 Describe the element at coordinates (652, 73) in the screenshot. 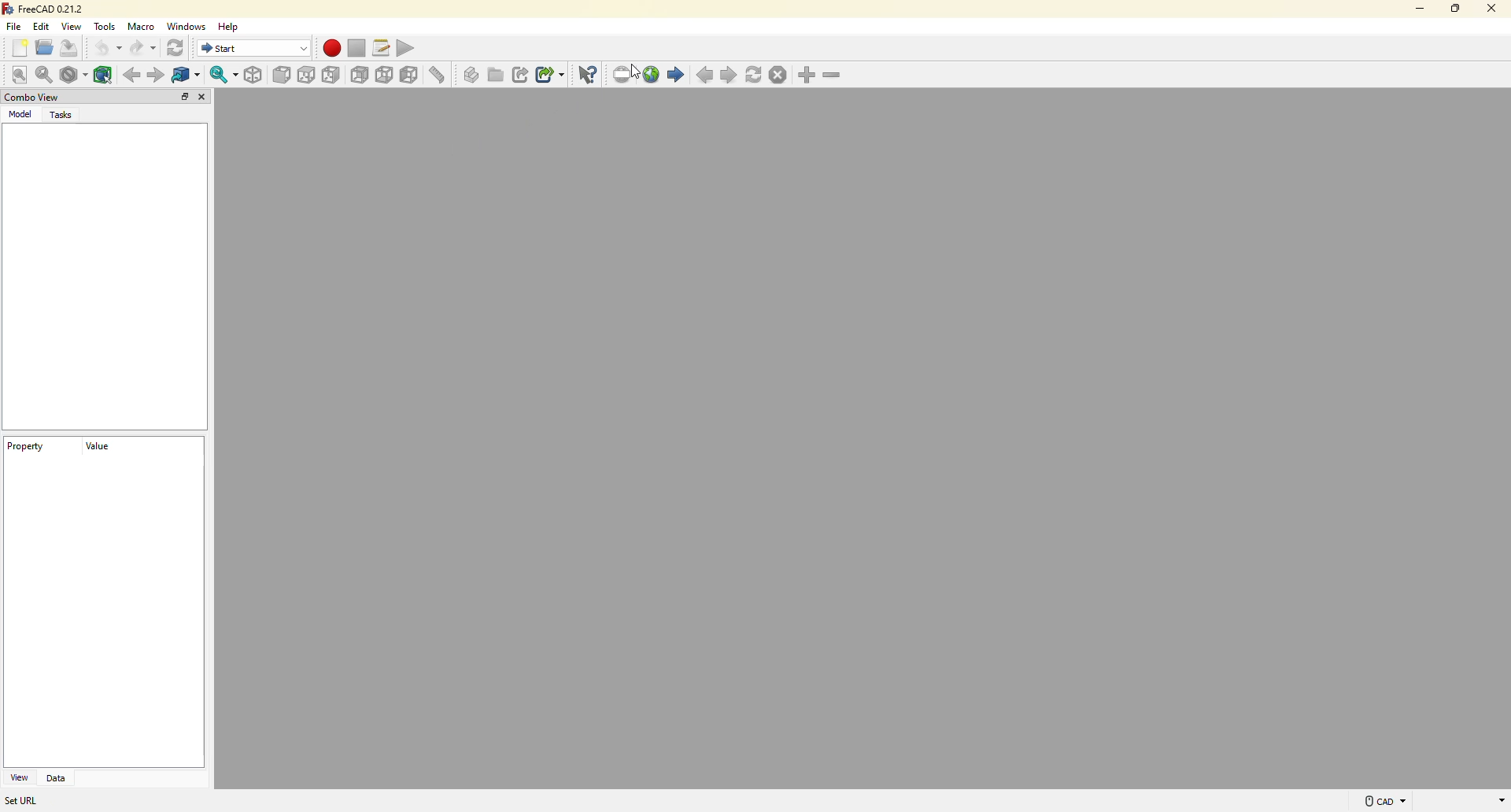

I see `open website` at that location.